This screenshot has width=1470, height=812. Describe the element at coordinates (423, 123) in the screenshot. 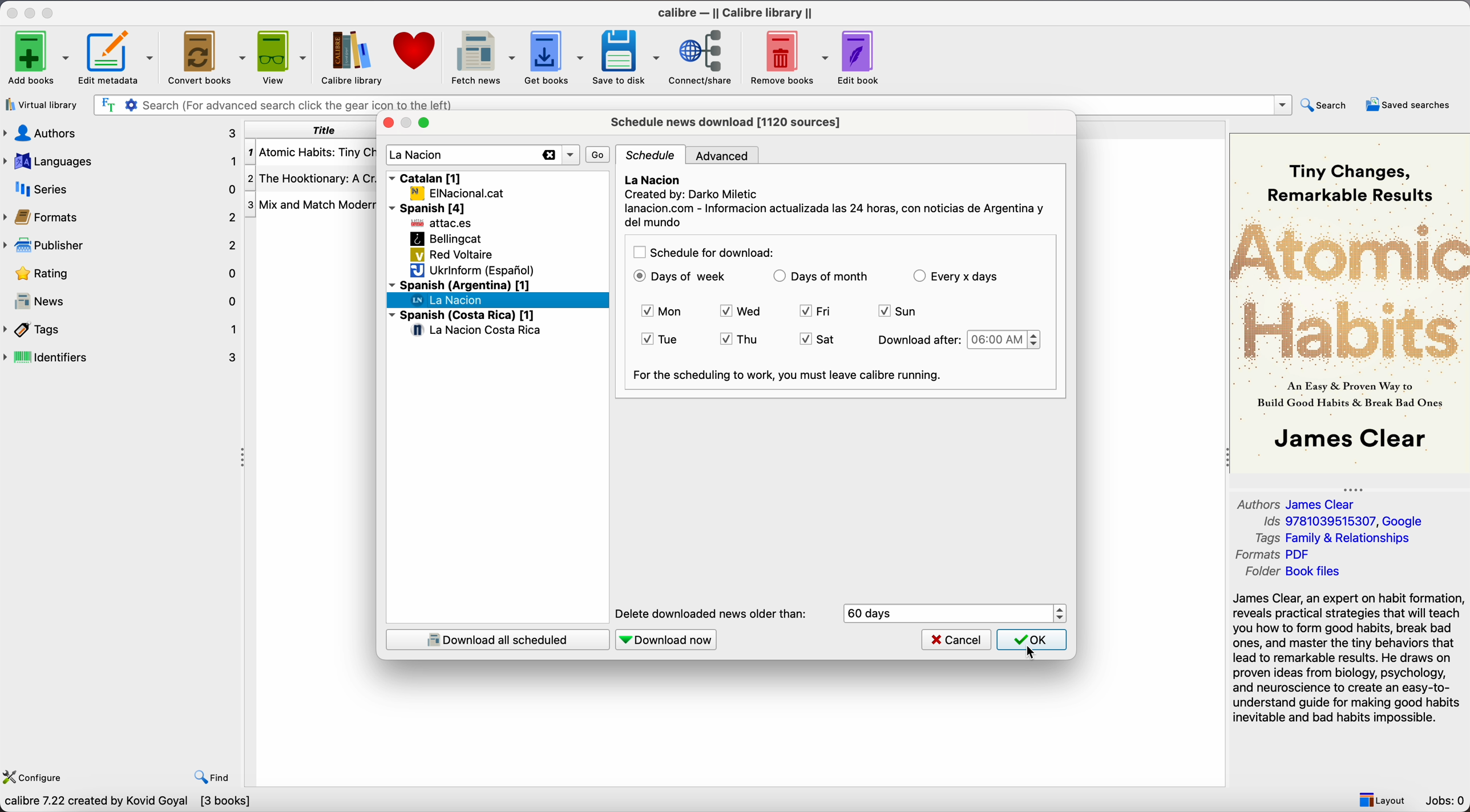

I see `maximize popup` at that location.